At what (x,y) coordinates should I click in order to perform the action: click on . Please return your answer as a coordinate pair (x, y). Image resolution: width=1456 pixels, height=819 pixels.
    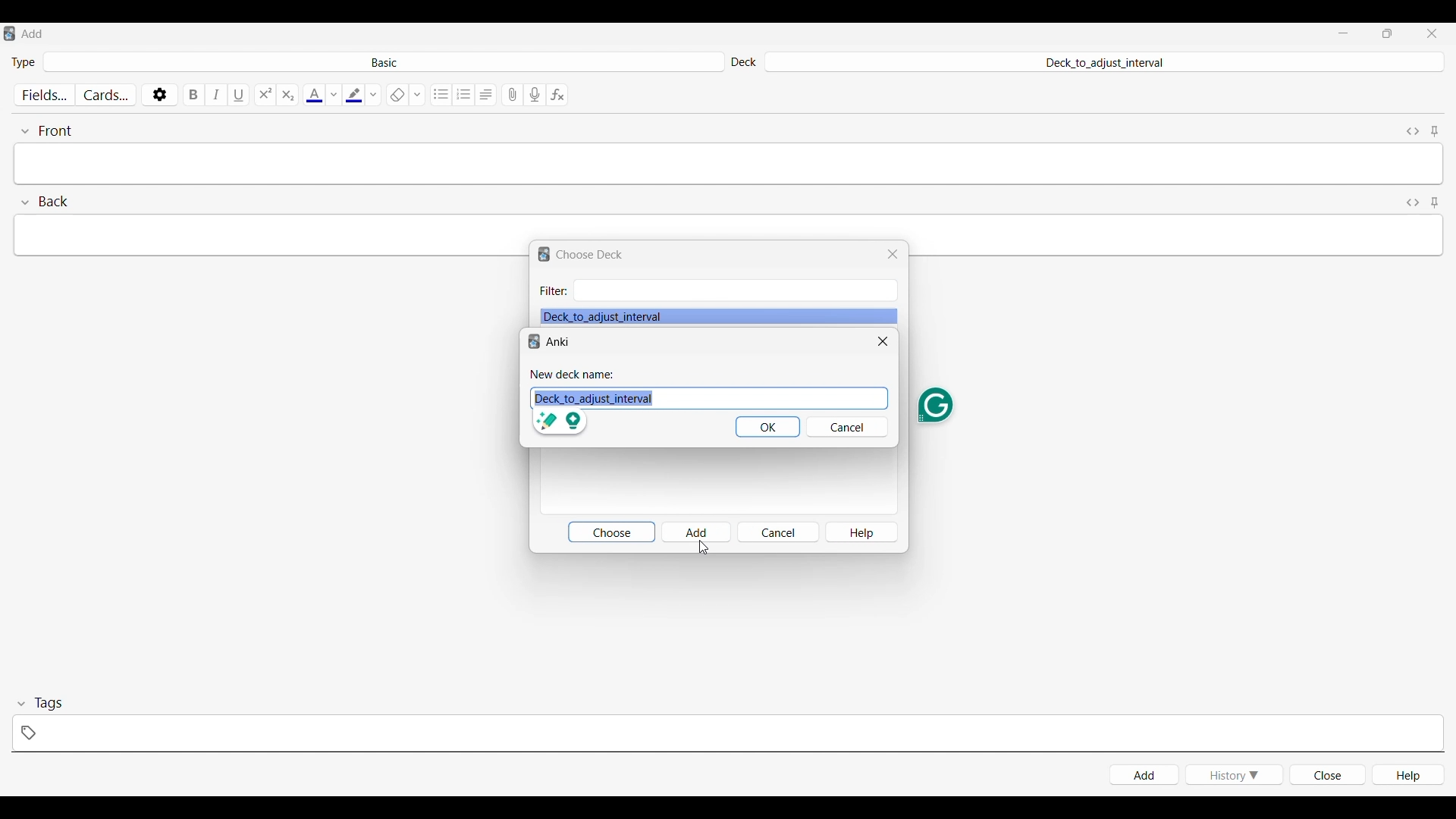
    Looking at the image, I should click on (1235, 774).